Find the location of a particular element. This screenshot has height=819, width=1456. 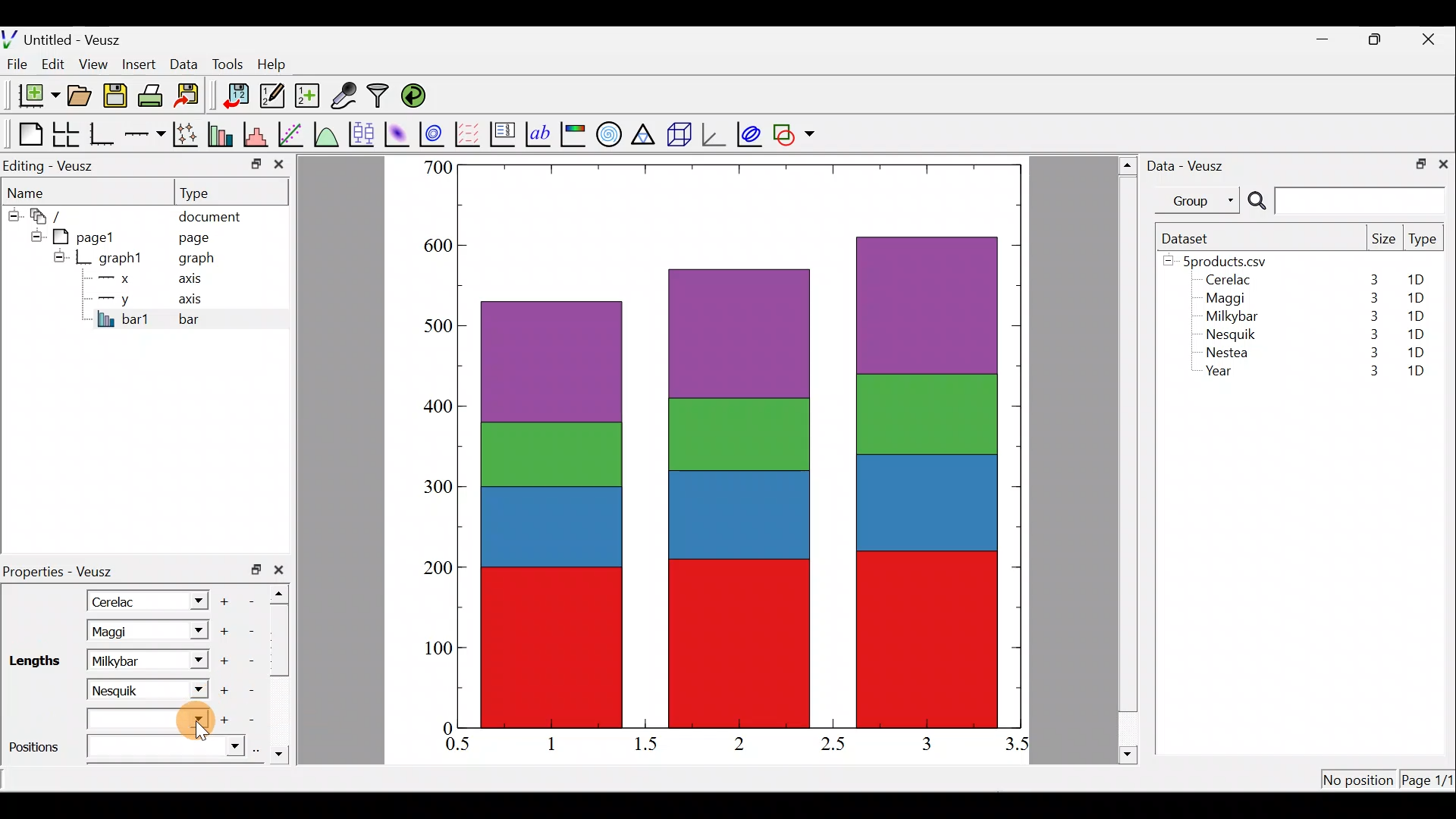

1D is located at coordinates (1421, 280).